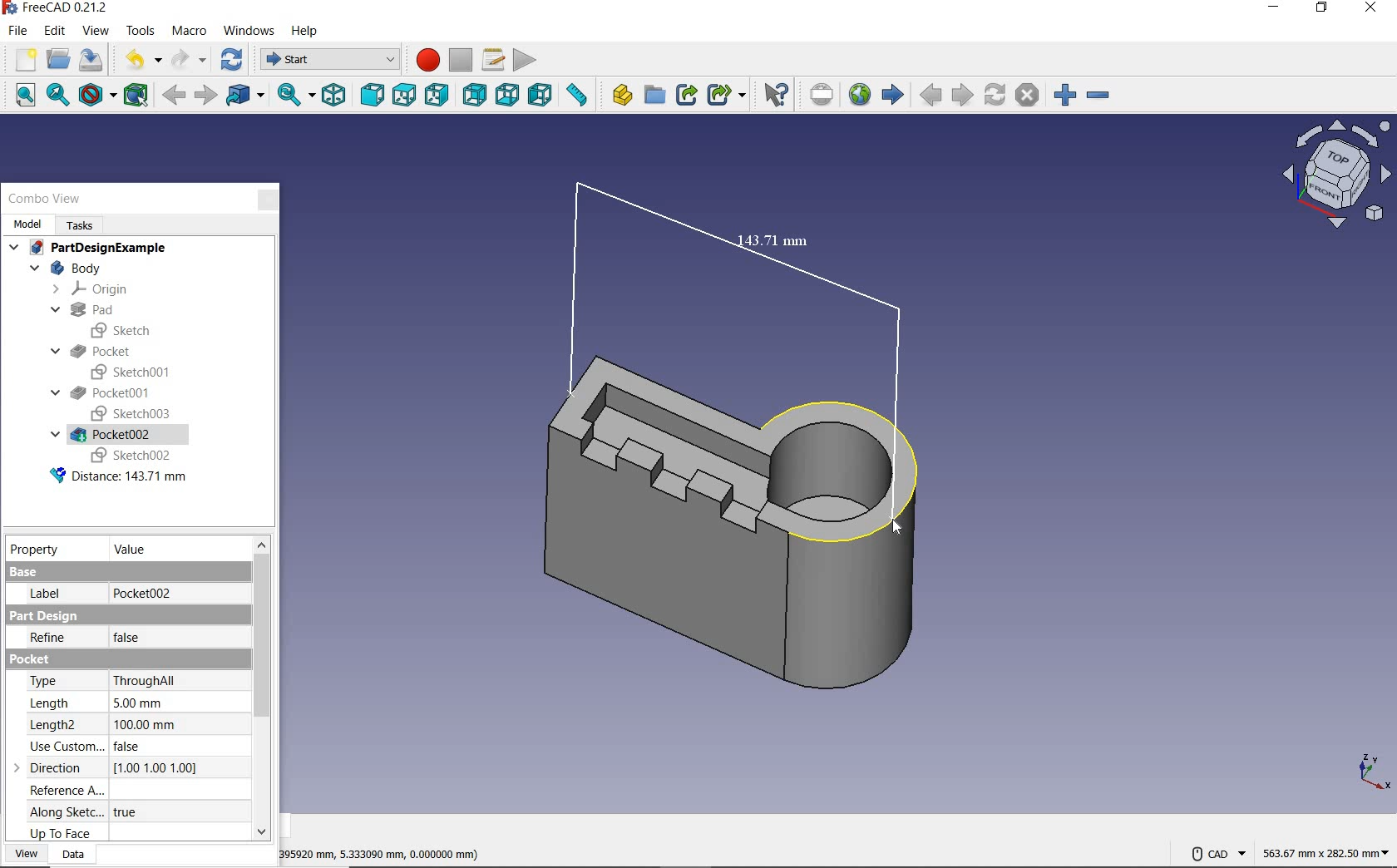 The height and width of the screenshot is (868, 1397). What do you see at coordinates (144, 639) in the screenshot?
I see `false` at bounding box center [144, 639].